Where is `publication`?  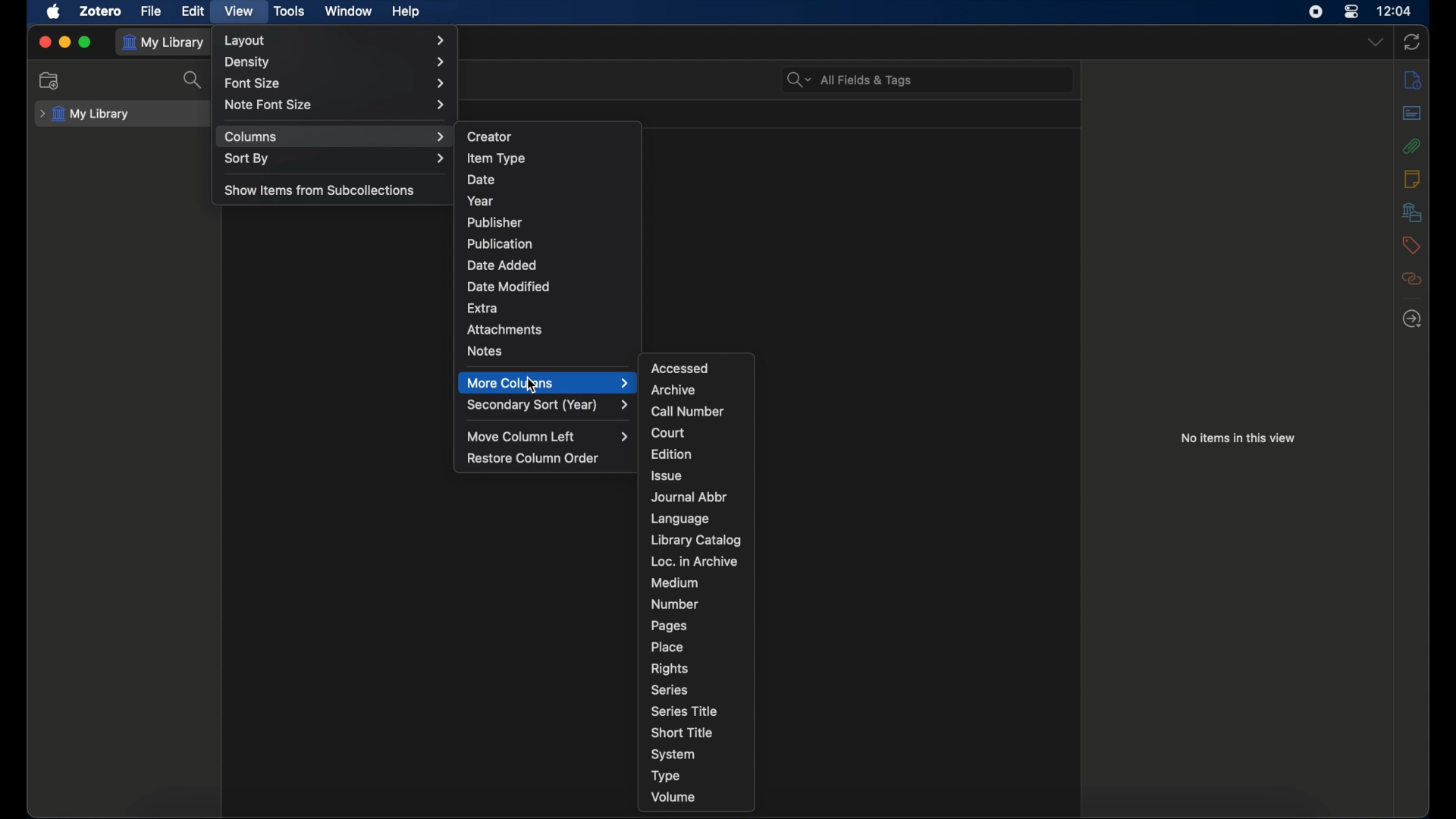
publication is located at coordinates (499, 243).